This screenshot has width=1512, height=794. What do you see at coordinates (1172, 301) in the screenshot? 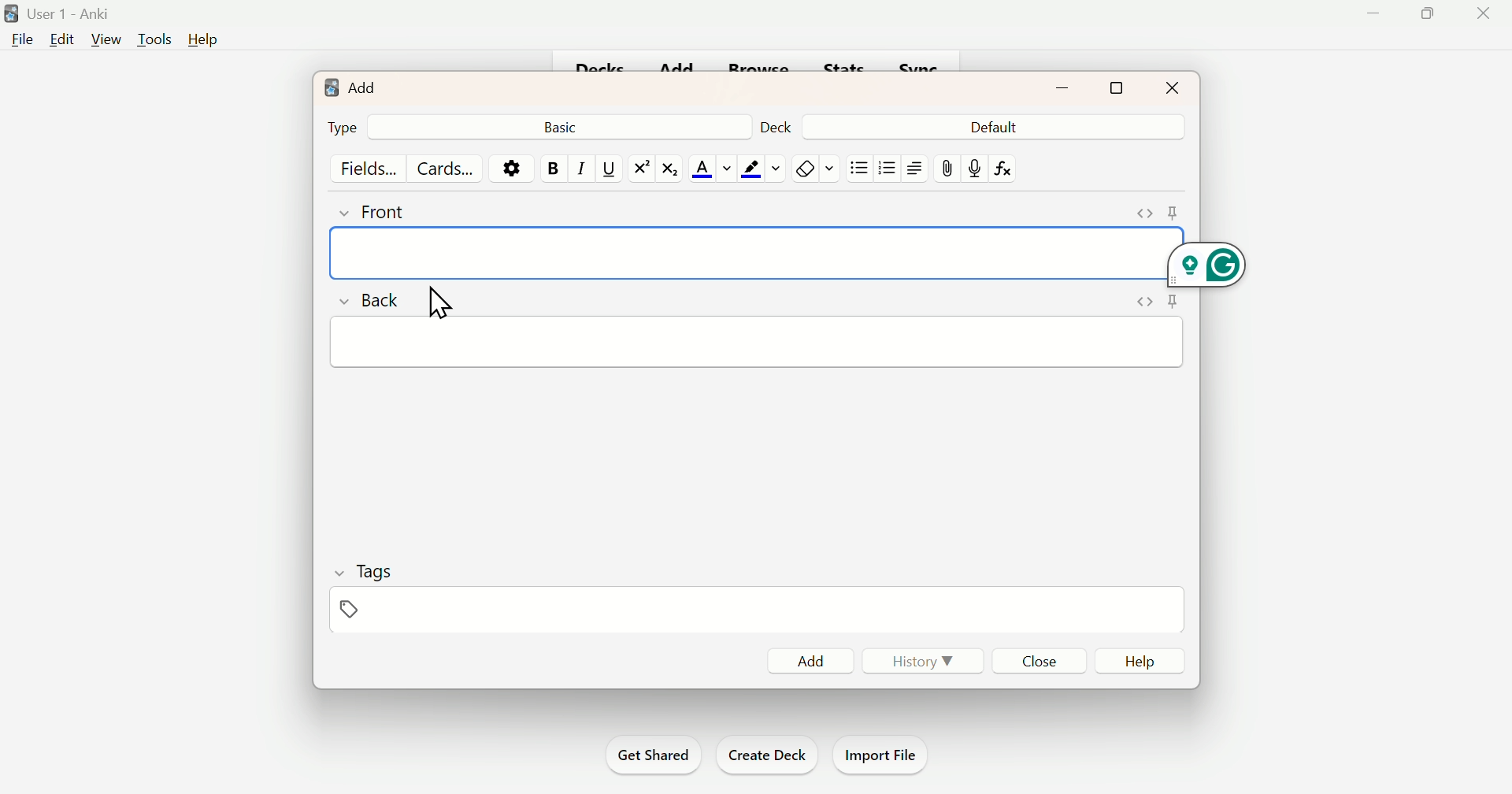
I see `pin` at bounding box center [1172, 301].